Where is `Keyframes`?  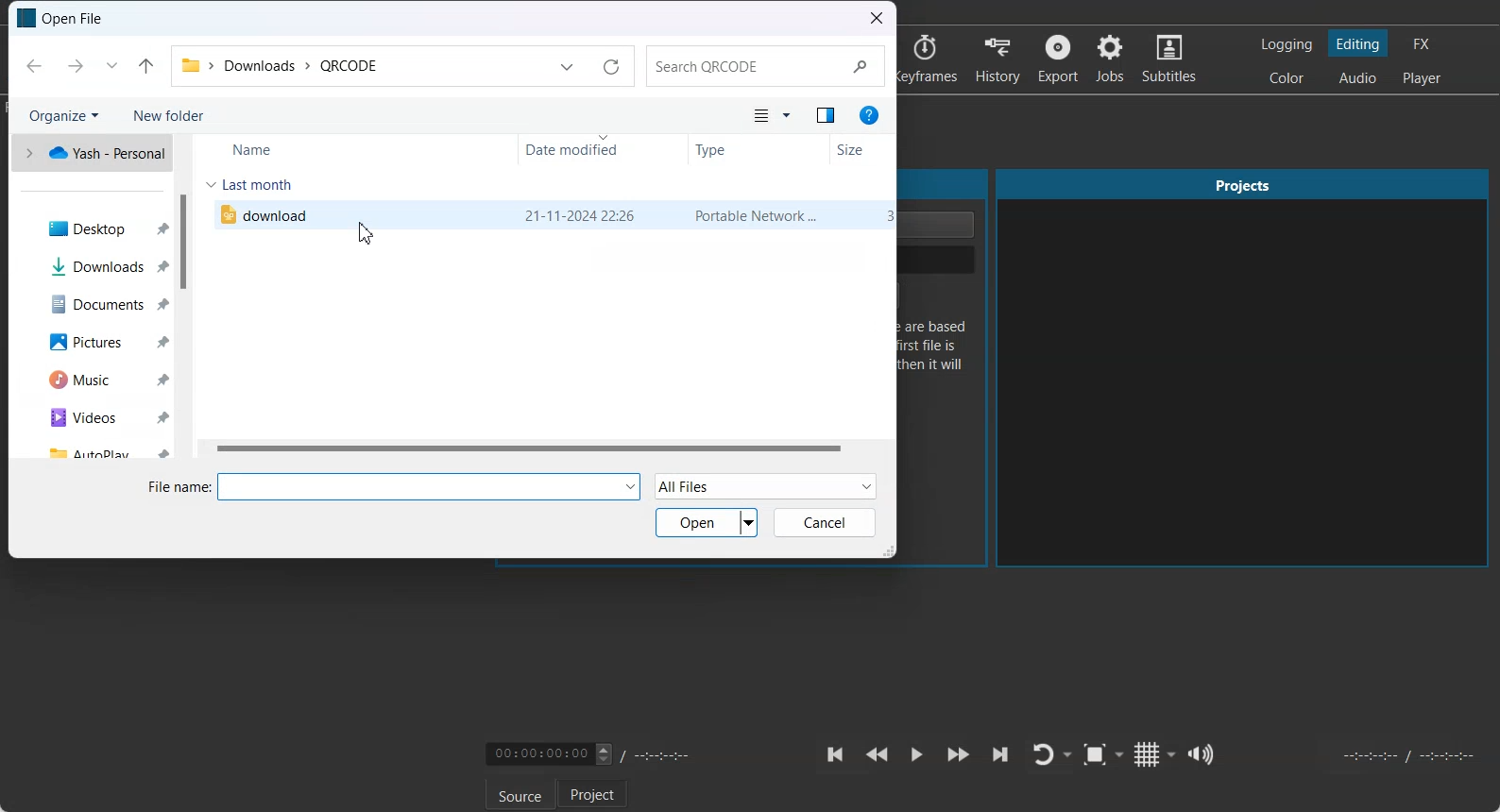 Keyframes is located at coordinates (929, 58).